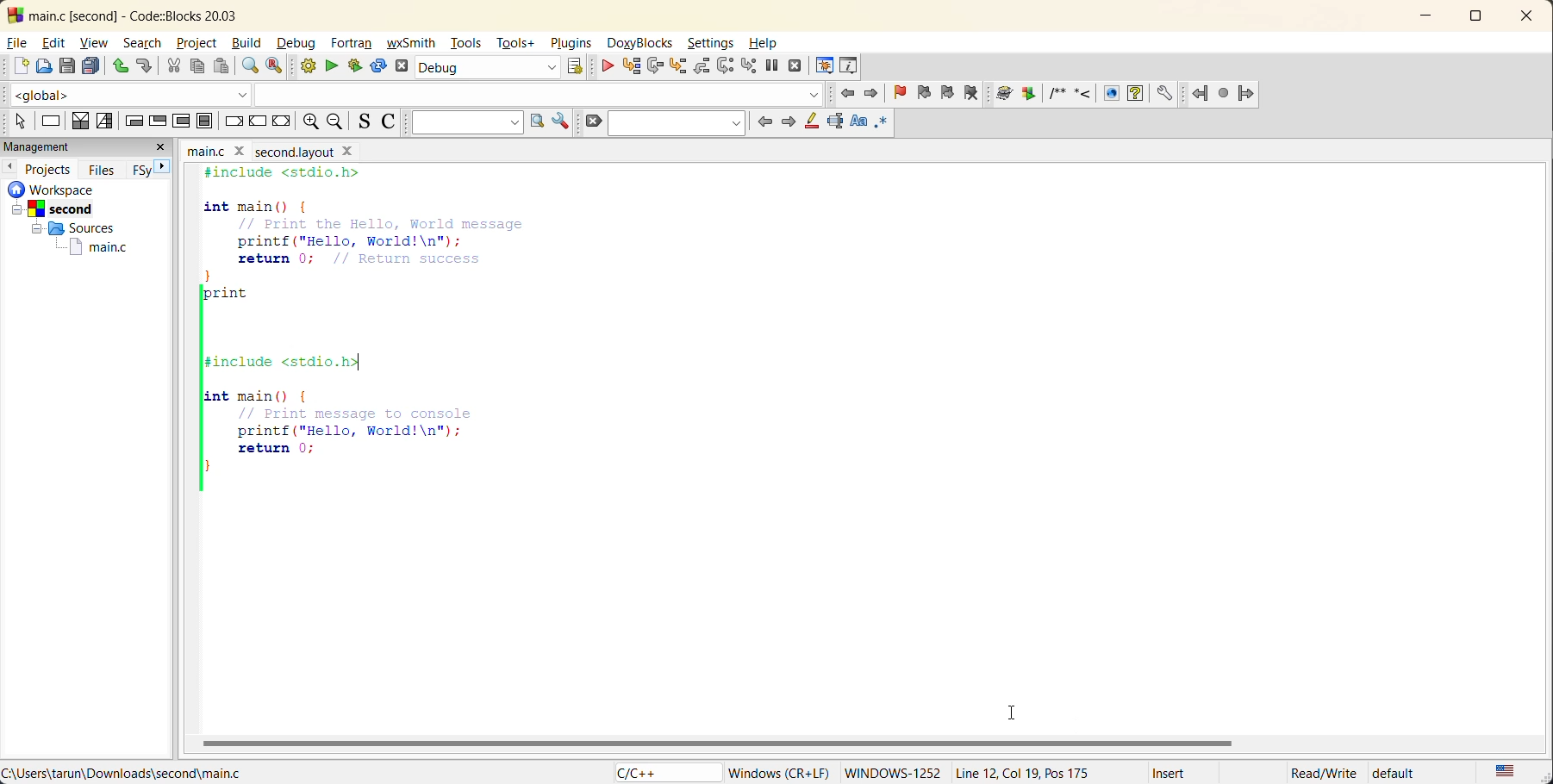  I want to click on instruction , so click(52, 121).